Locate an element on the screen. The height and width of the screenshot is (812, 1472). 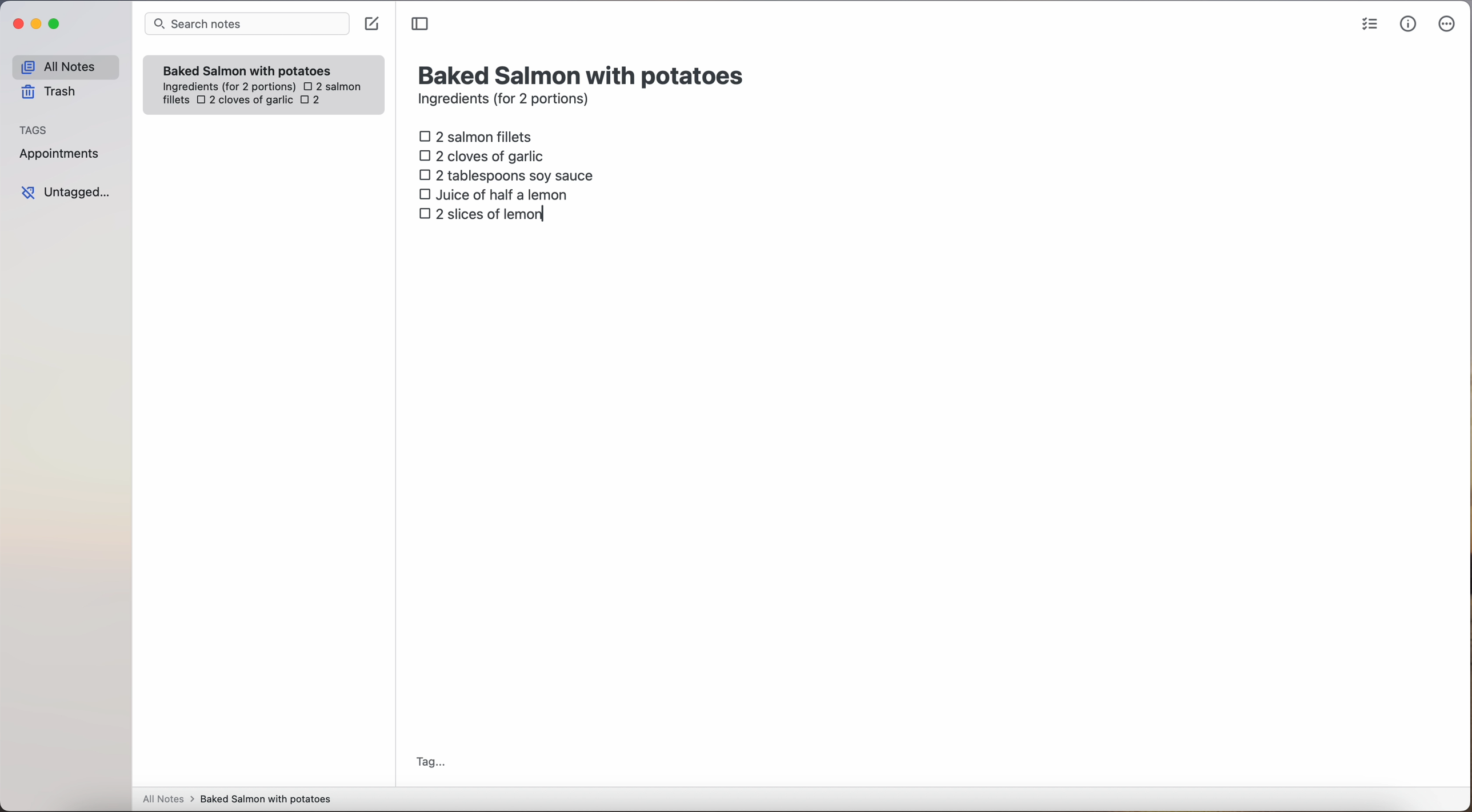
untagged is located at coordinates (67, 192).